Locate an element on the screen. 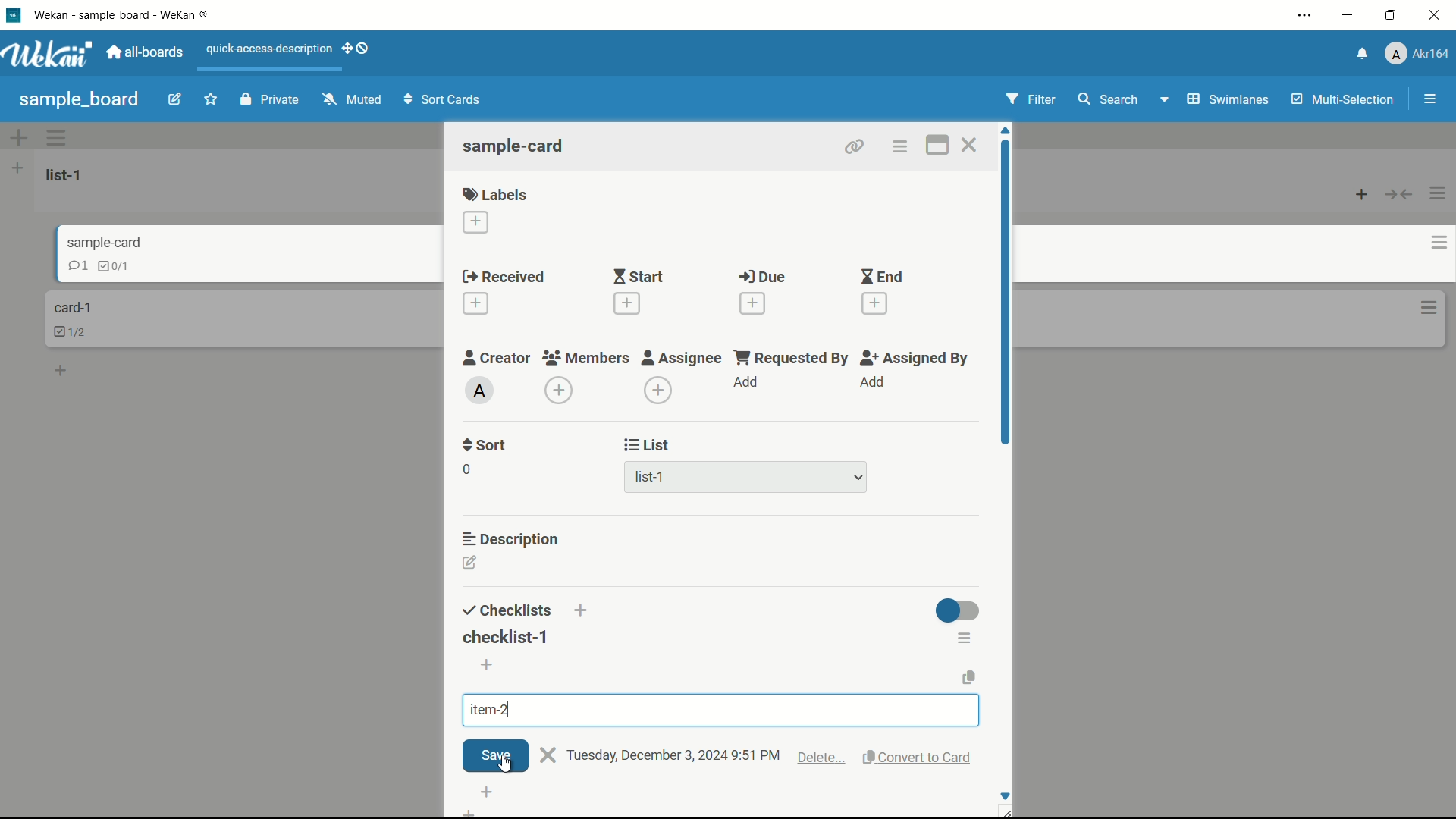 This screenshot has height=819, width=1456. list actions is located at coordinates (17, 168).